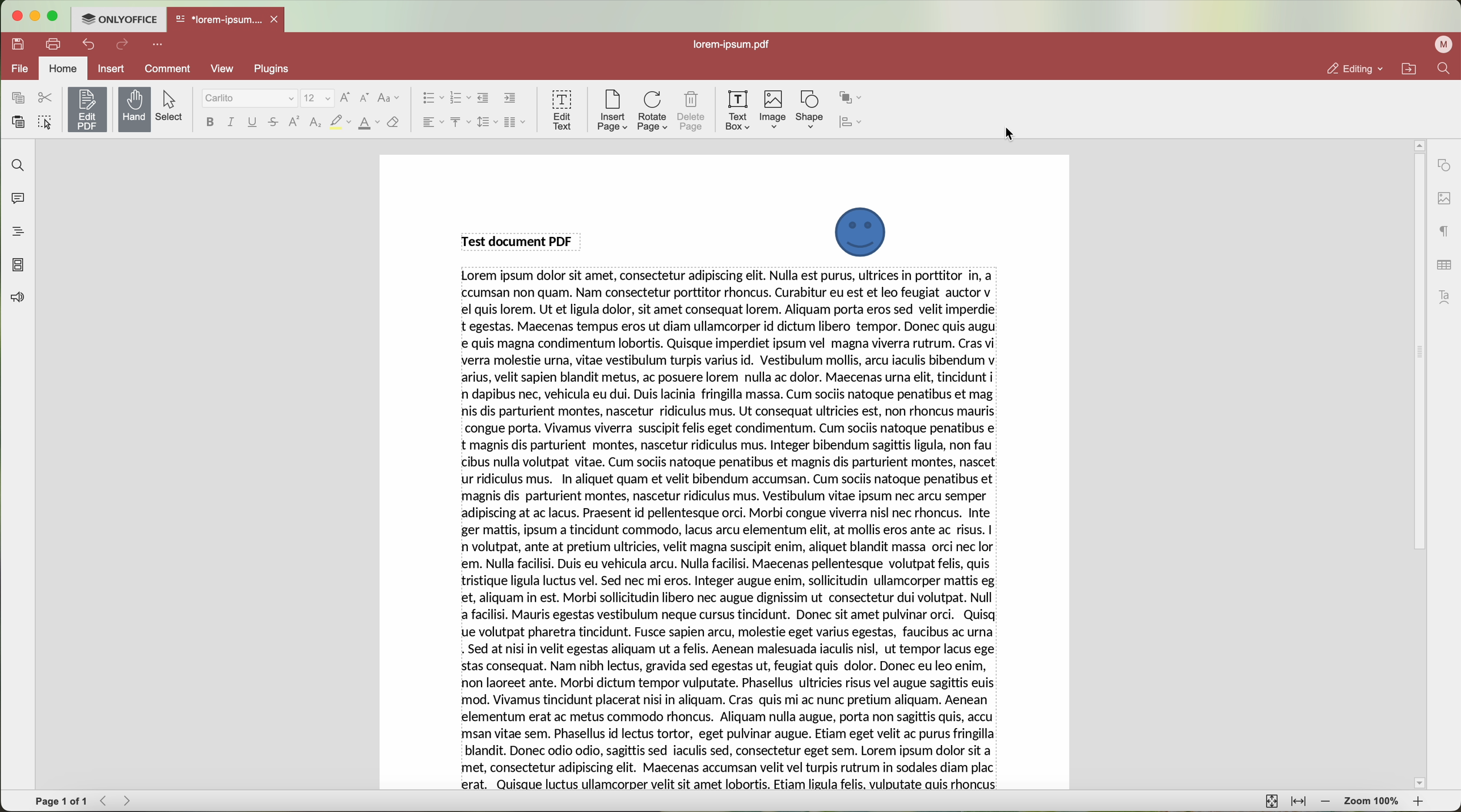  What do you see at coordinates (430, 122) in the screenshot?
I see `horizontal align` at bounding box center [430, 122].